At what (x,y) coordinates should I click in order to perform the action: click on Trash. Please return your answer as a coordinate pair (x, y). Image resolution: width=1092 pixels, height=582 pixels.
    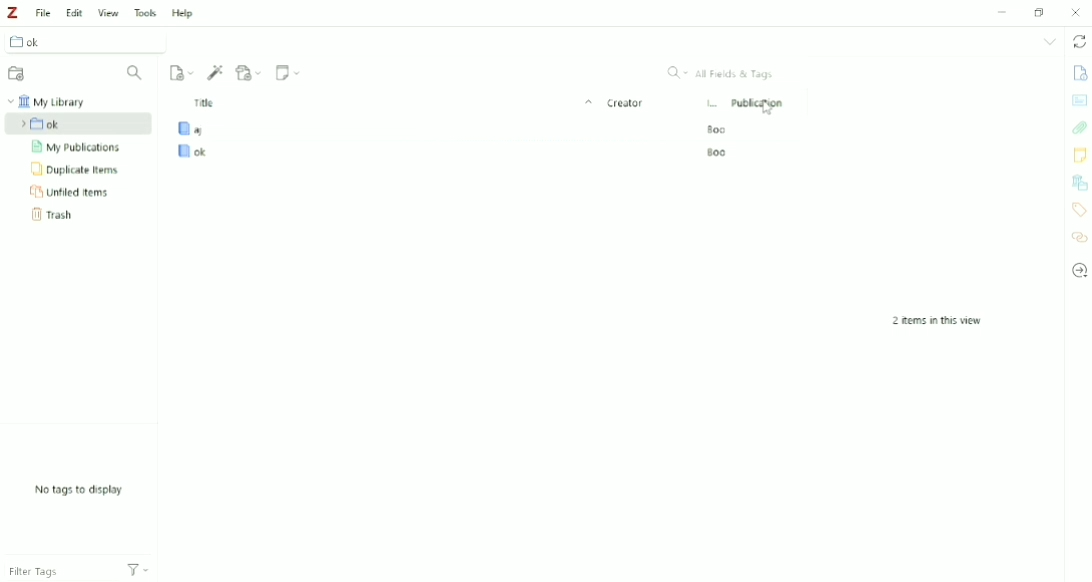
    Looking at the image, I should click on (57, 215).